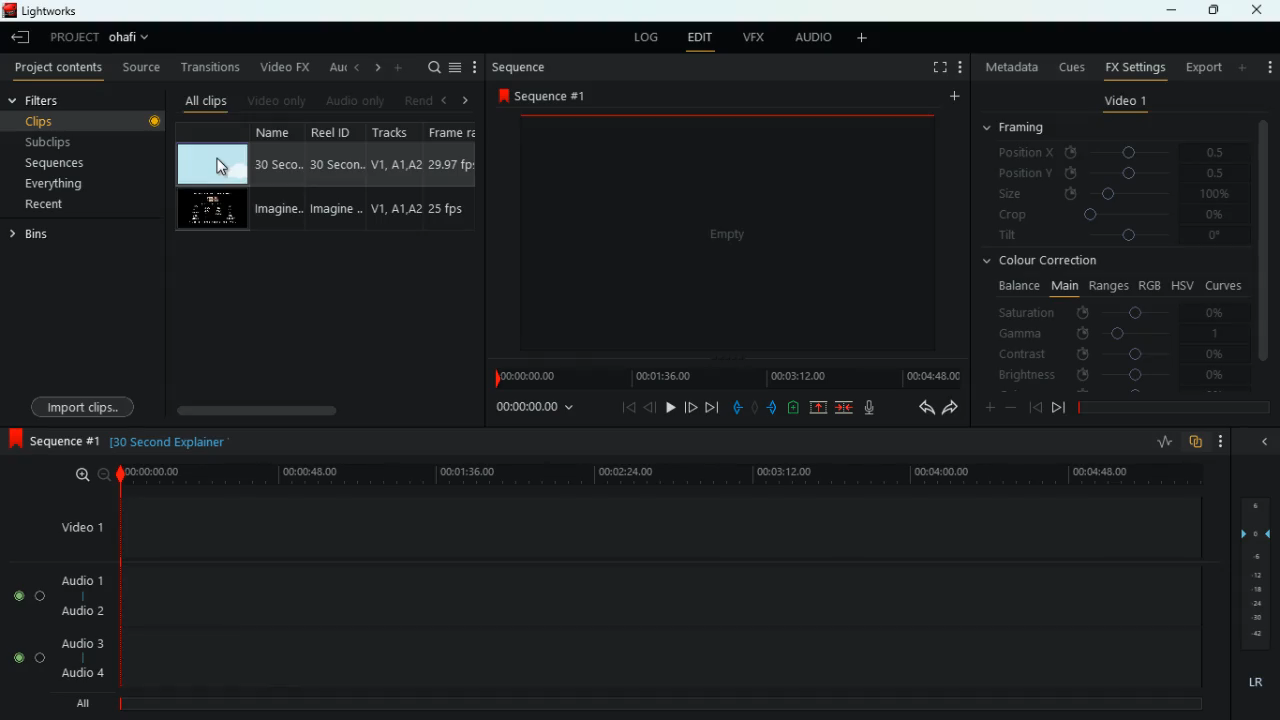 The height and width of the screenshot is (720, 1280). What do you see at coordinates (1034, 406) in the screenshot?
I see `back` at bounding box center [1034, 406].